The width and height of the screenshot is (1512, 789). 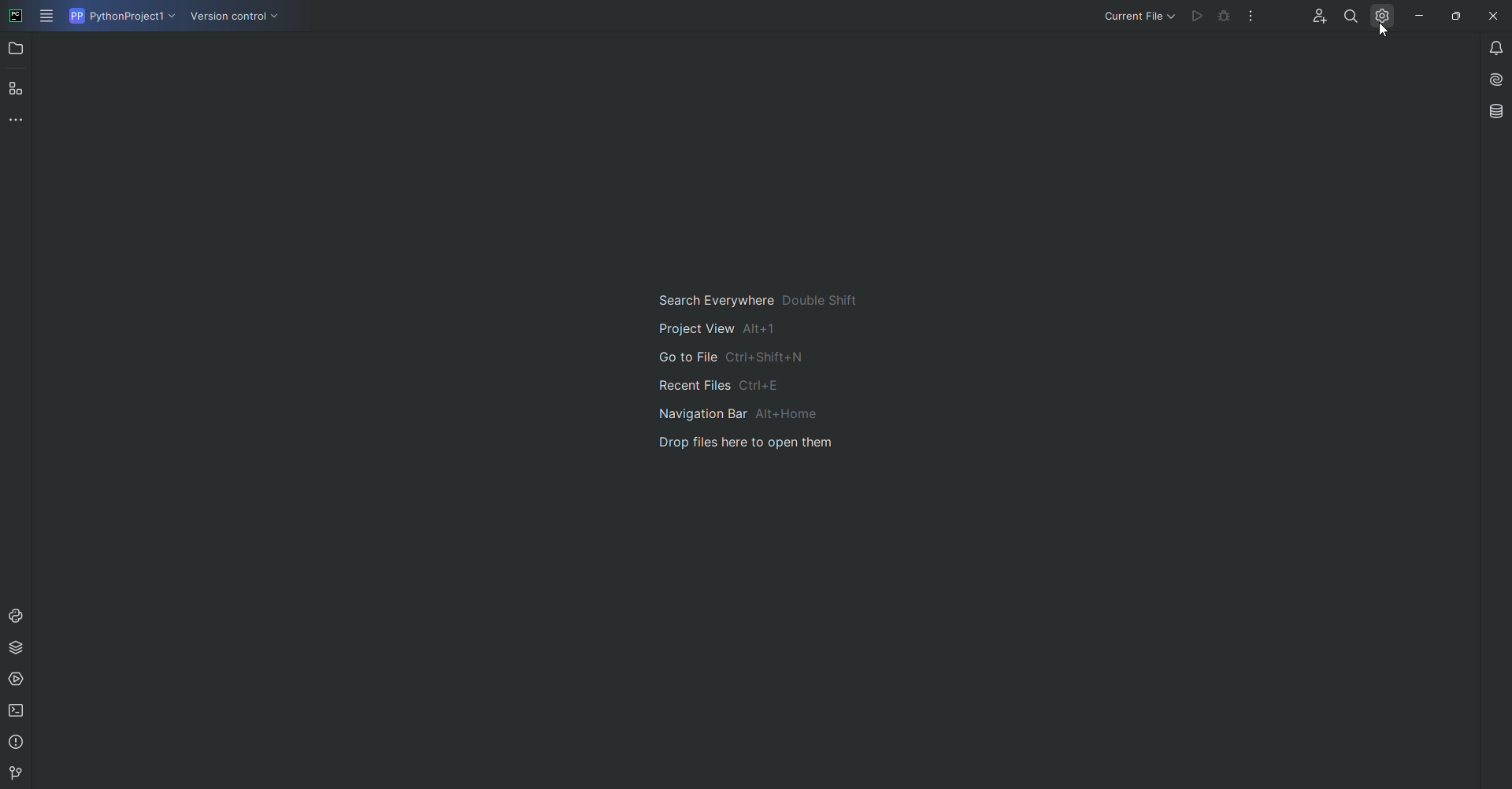 I want to click on debug, so click(x=1225, y=18).